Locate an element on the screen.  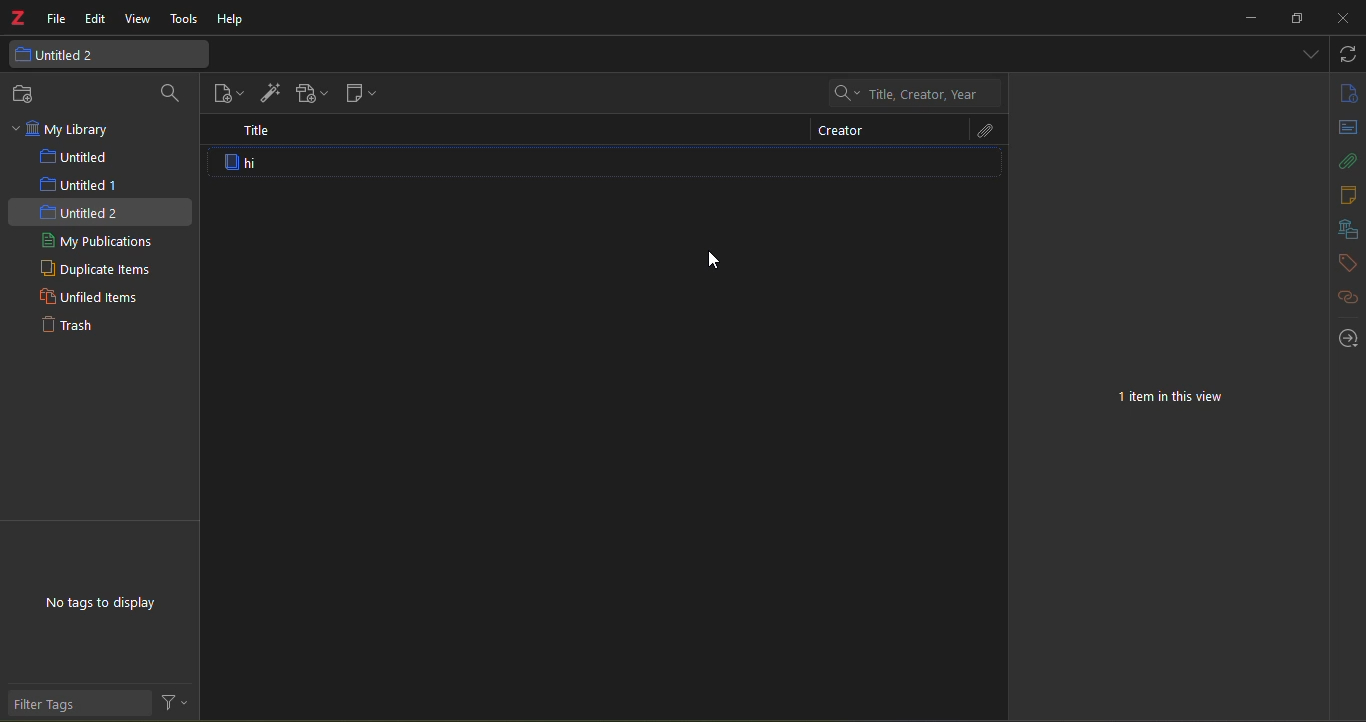
new note is located at coordinates (361, 93).